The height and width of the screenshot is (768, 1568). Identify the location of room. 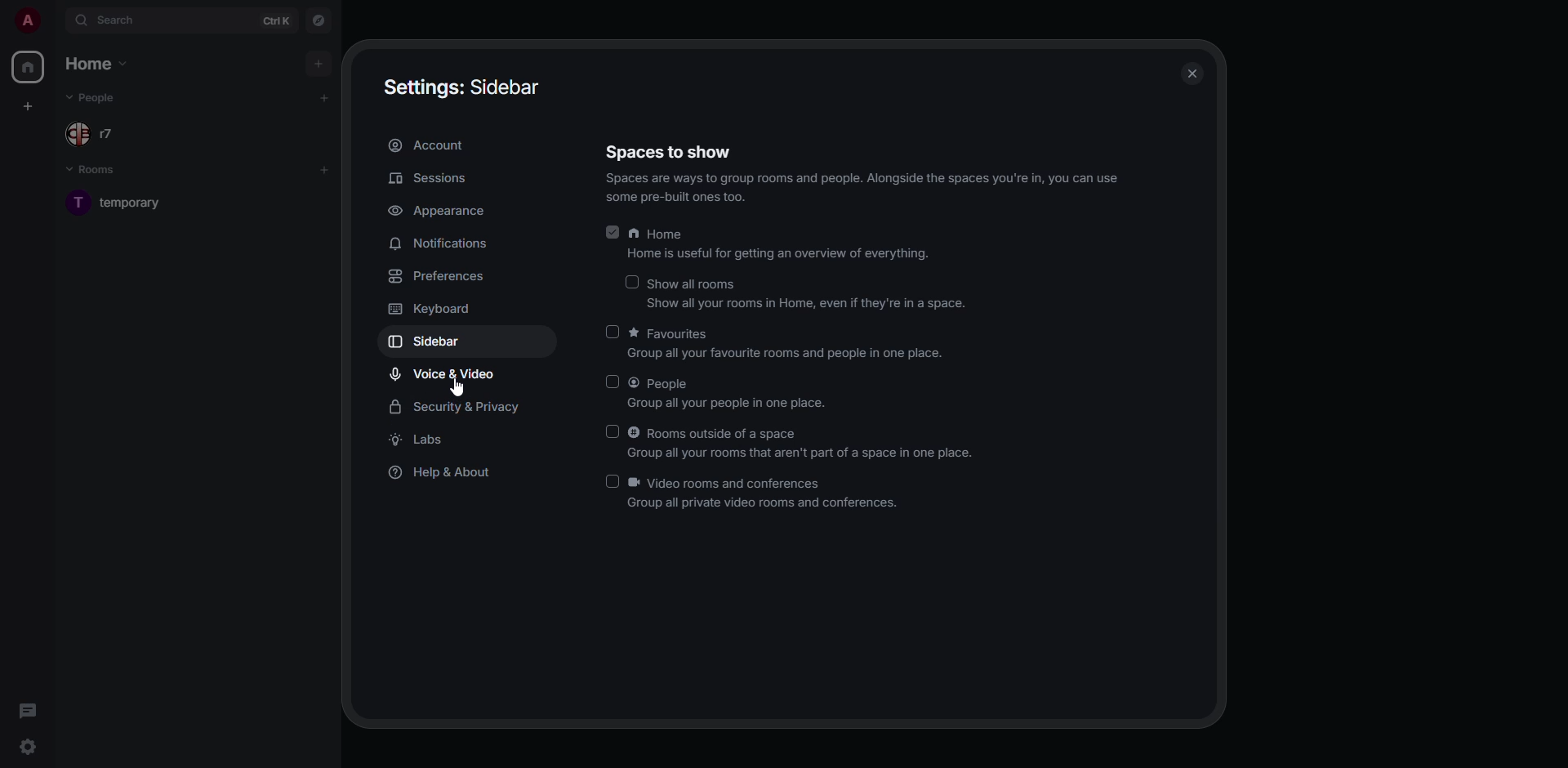
(138, 203).